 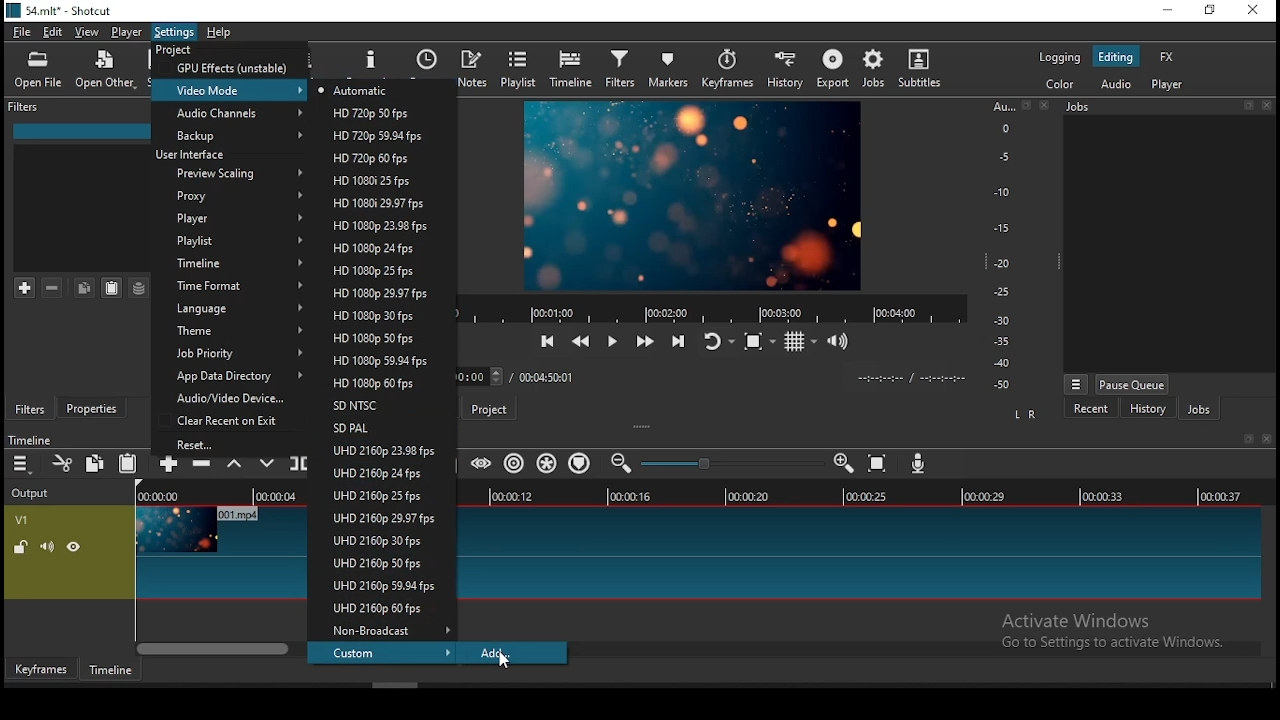 What do you see at coordinates (759, 340) in the screenshot?
I see `toggle zoo` at bounding box center [759, 340].